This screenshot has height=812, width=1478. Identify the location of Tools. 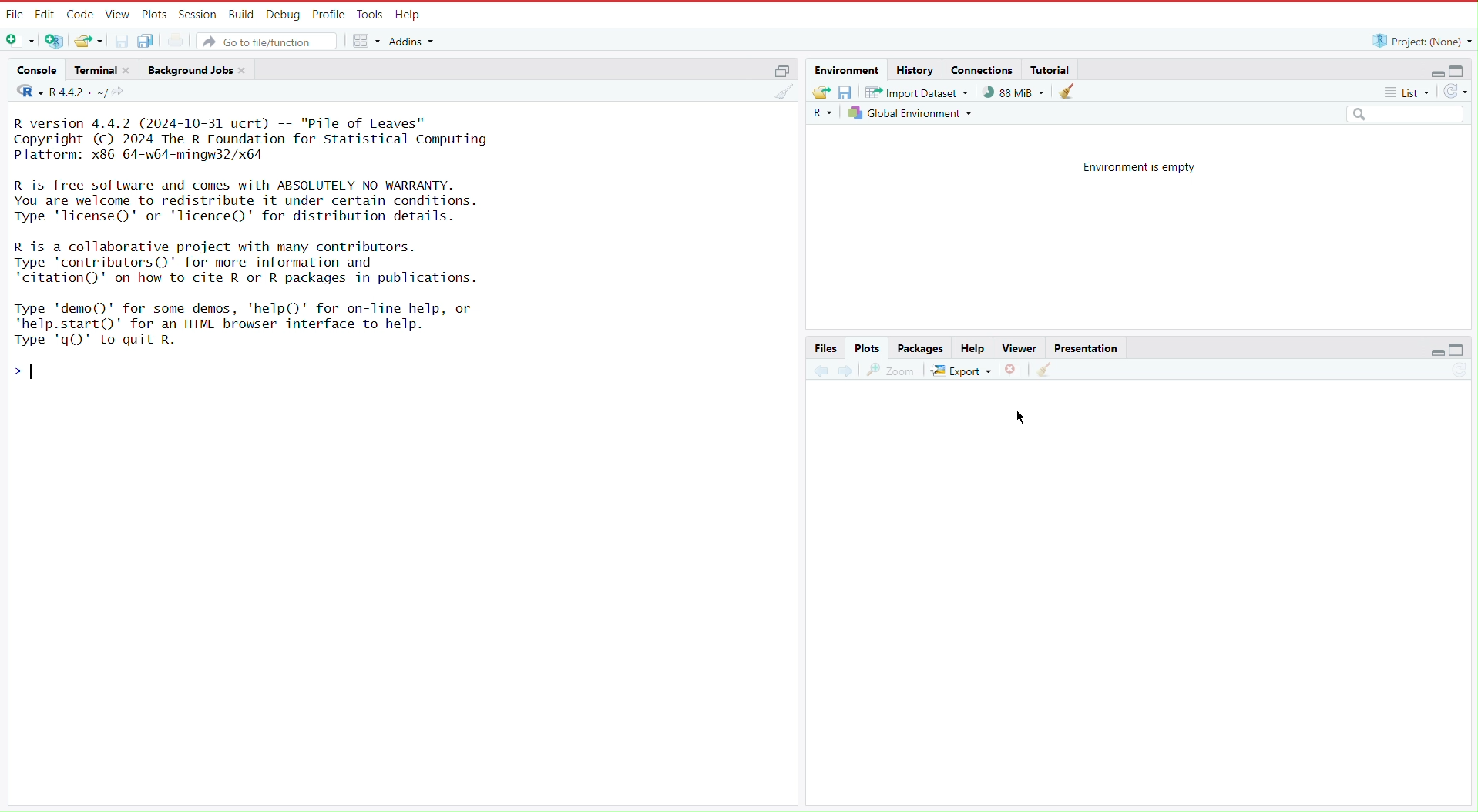
(368, 15).